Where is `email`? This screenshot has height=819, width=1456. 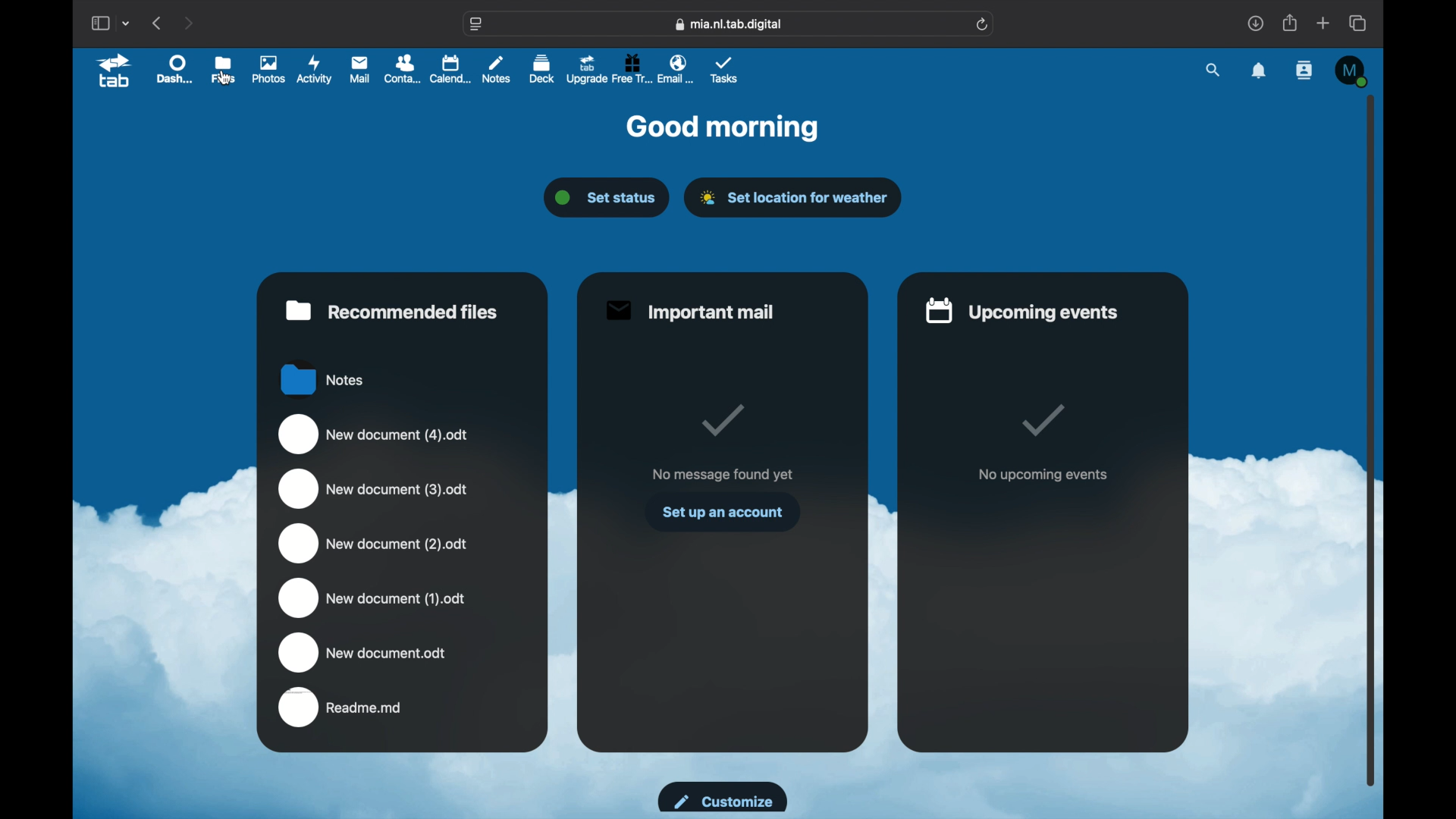 email is located at coordinates (677, 68).